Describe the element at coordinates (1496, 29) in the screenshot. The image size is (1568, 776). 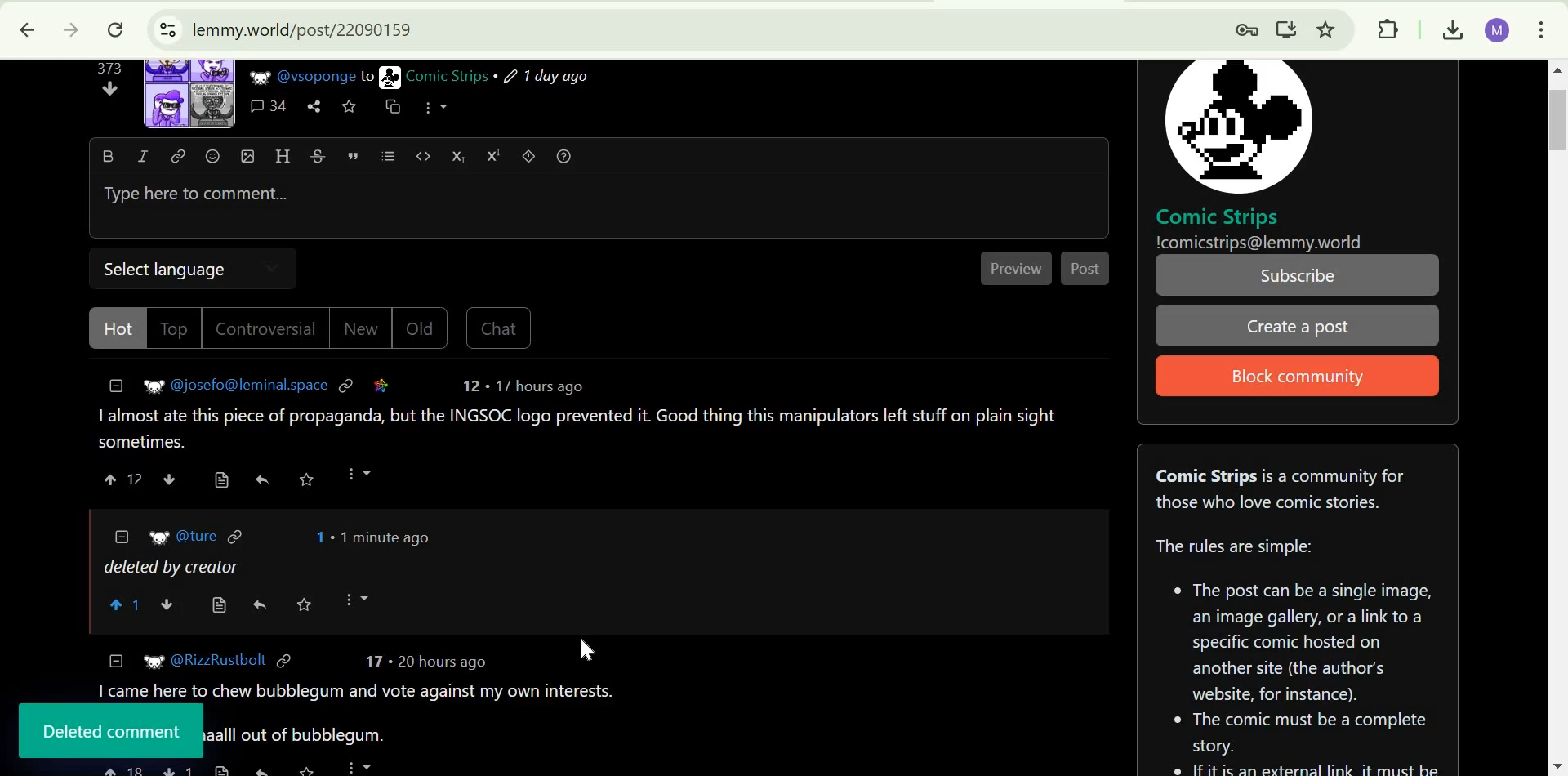
I see `Google account` at that location.